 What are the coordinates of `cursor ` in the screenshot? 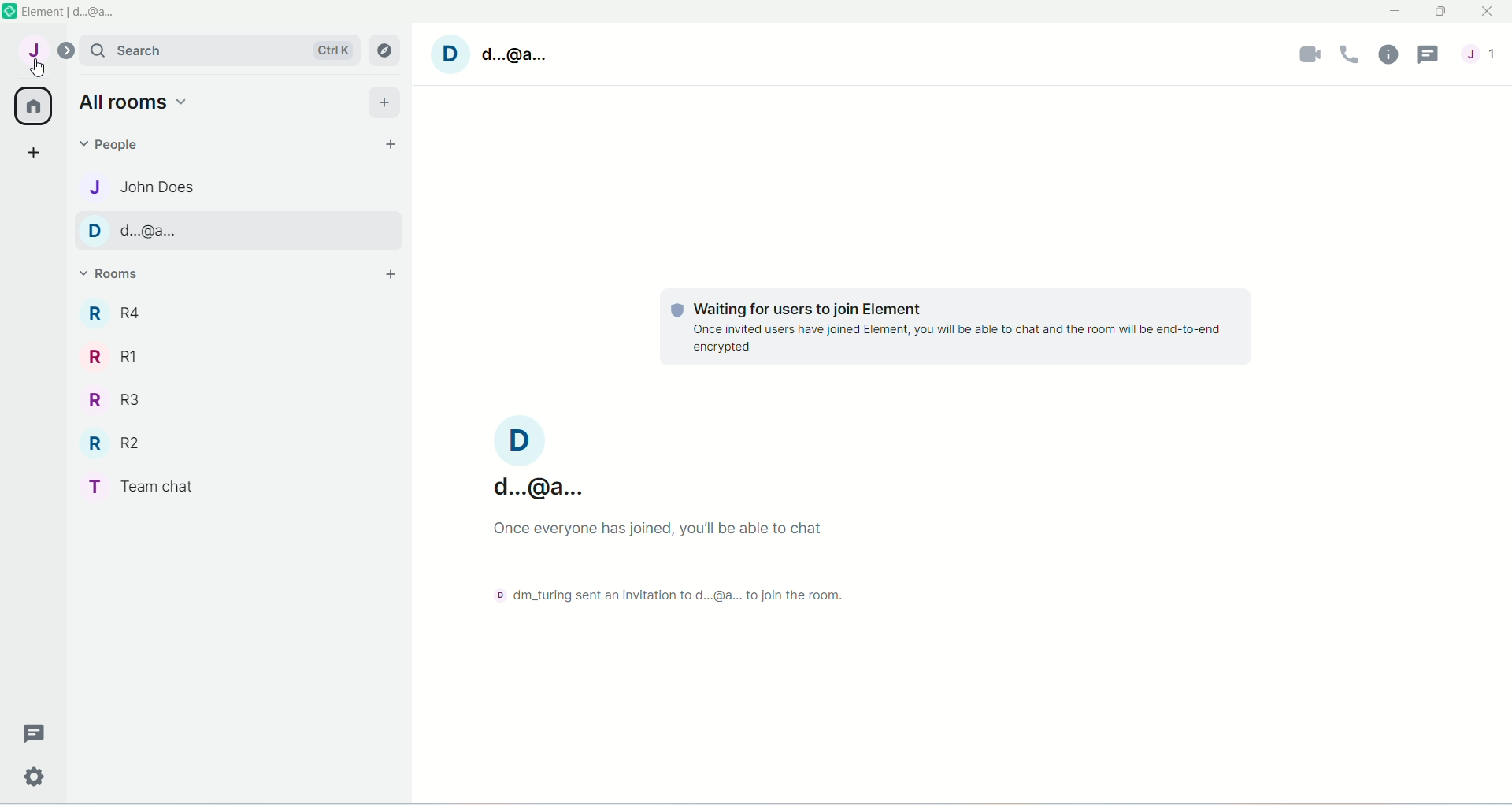 It's located at (37, 68).